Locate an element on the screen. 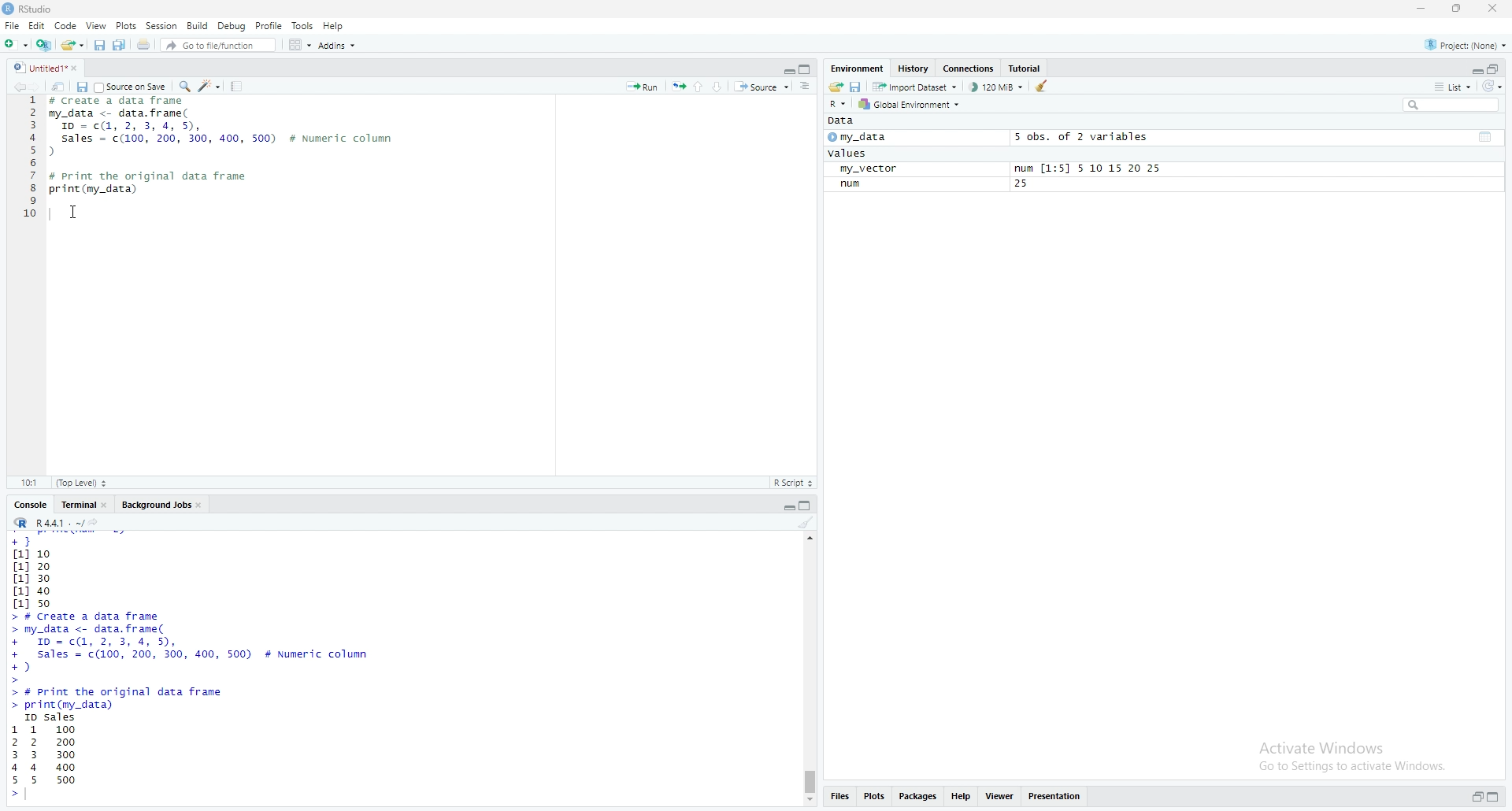 The width and height of the screenshot is (1512, 811). viewer is located at coordinates (1000, 798).